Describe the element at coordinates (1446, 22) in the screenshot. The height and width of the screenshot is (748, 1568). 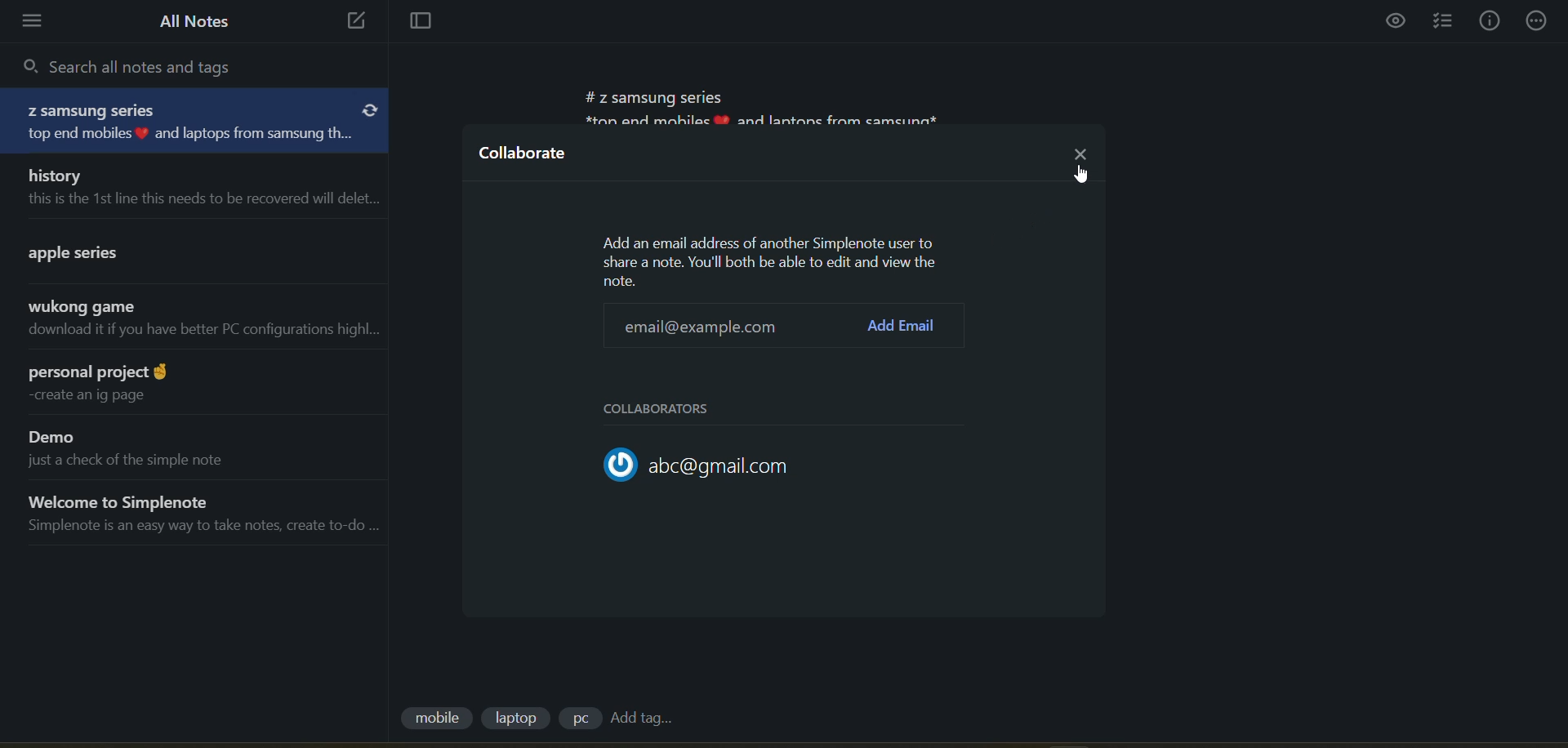
I see `insert checklist` at that location.